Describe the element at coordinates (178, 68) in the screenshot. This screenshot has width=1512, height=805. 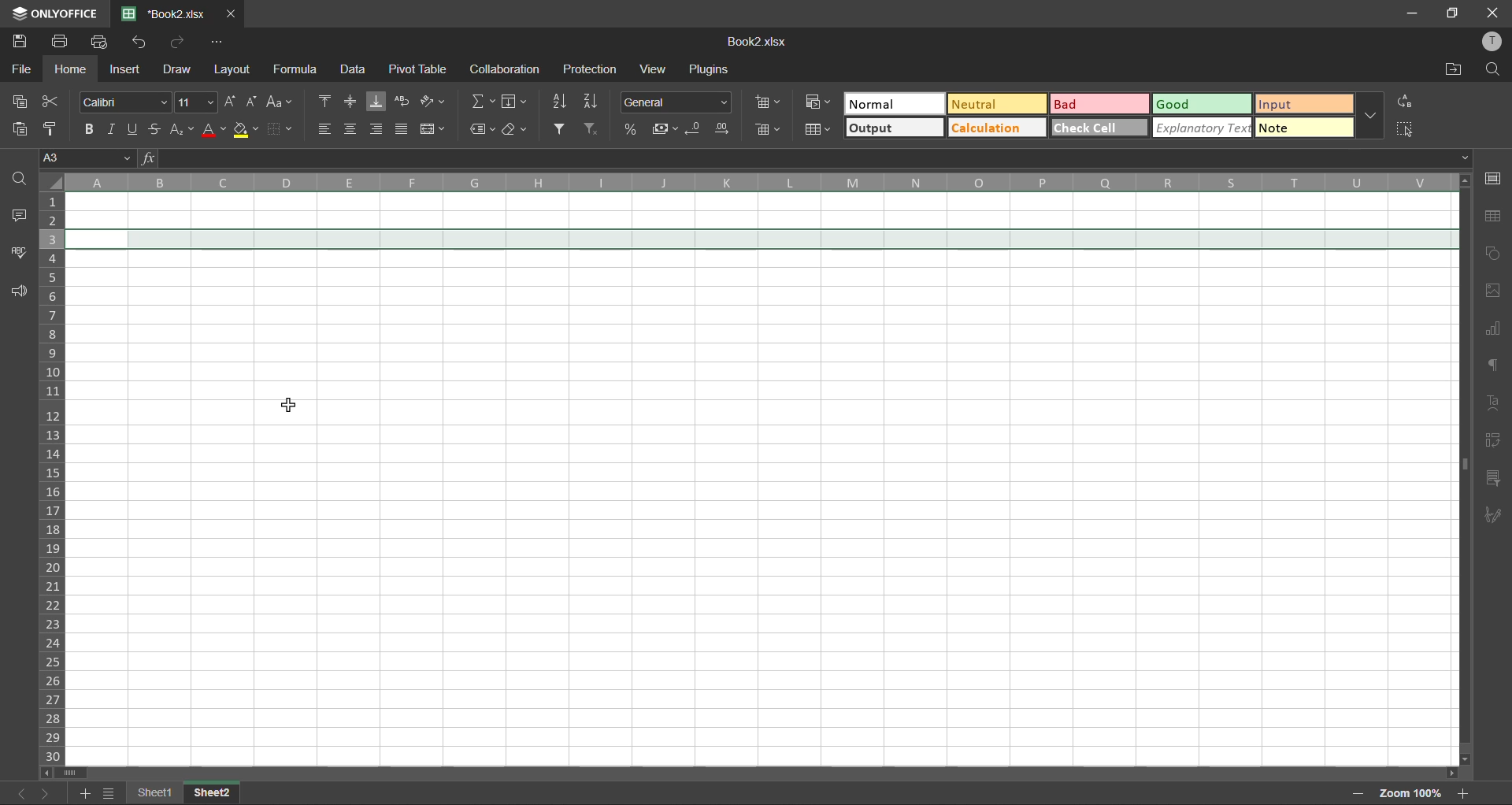
I see `draw` at that location.